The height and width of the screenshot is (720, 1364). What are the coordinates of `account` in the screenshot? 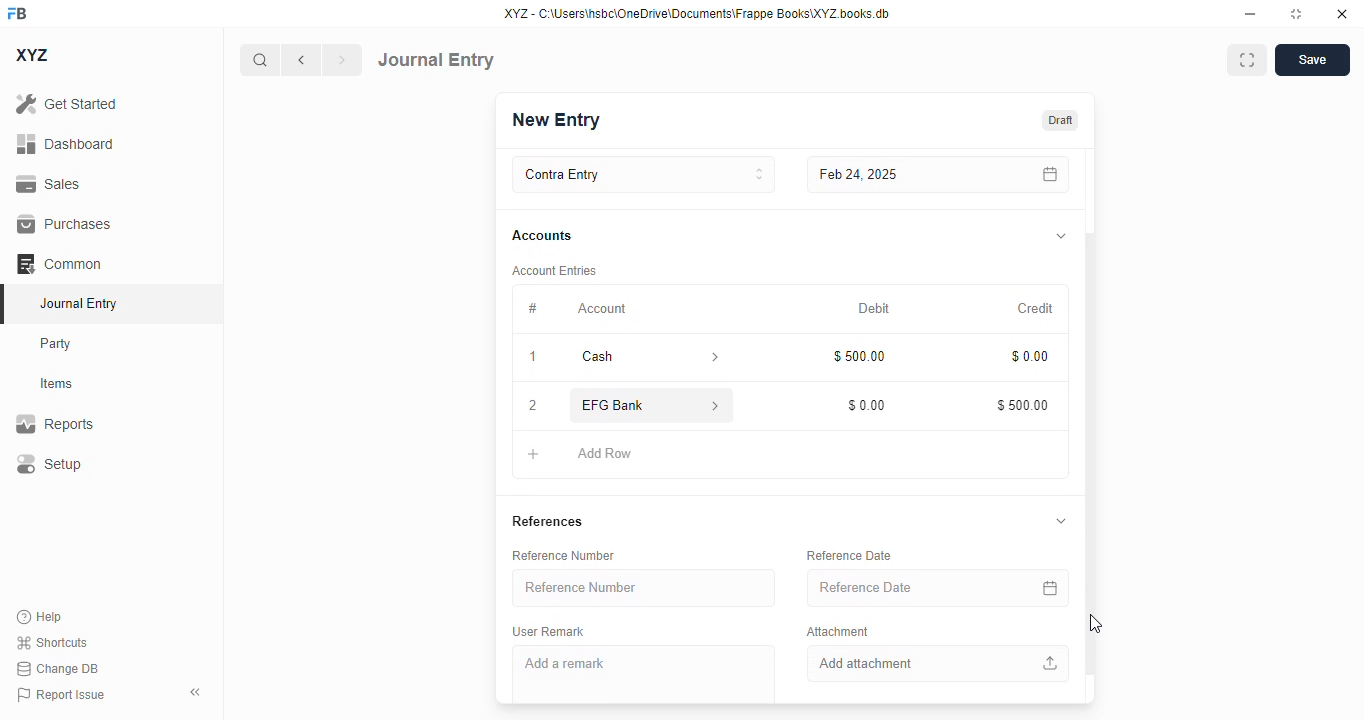 It's located at (602, 309).